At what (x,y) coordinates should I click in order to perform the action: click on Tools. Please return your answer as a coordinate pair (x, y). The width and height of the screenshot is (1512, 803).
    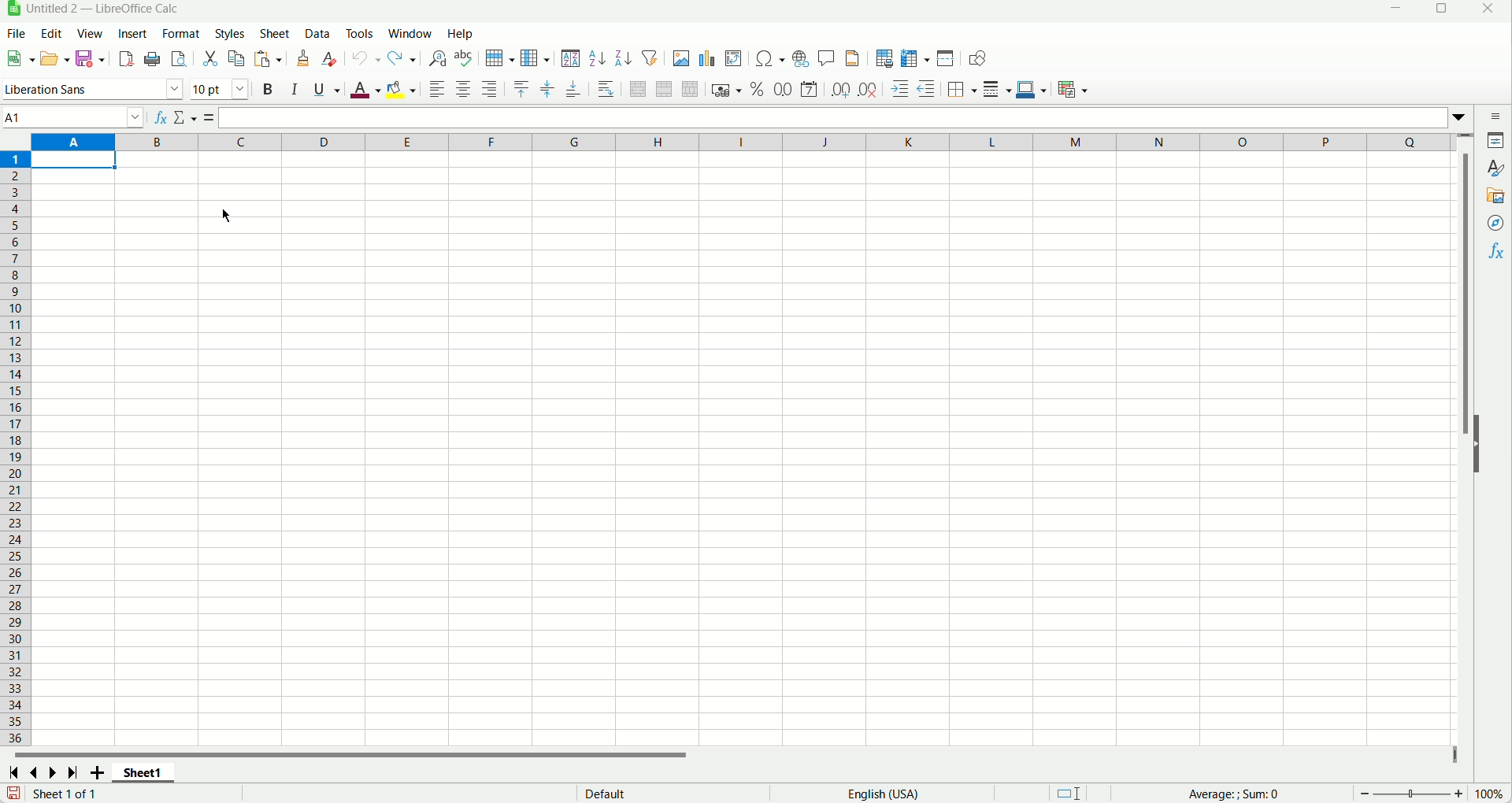
    Looking at the image, I should click on (359, 33).